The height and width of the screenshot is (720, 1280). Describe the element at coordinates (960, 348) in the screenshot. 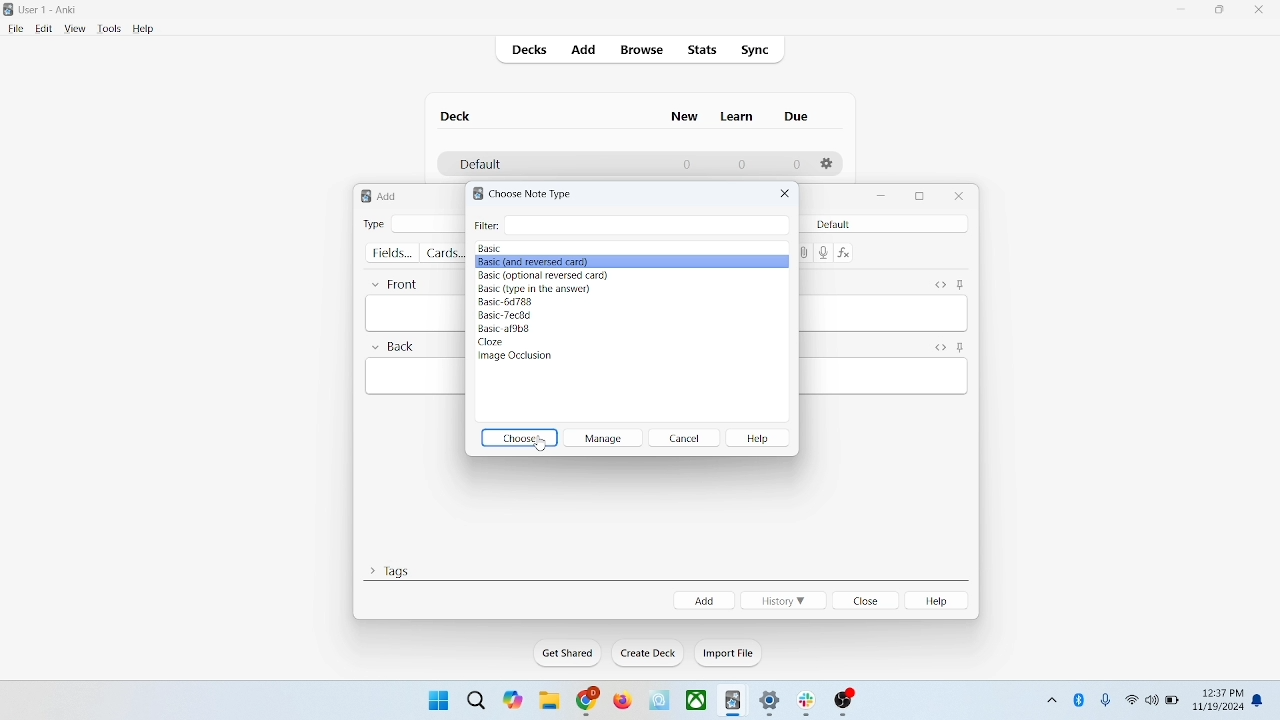

I see `sticky` at that location.